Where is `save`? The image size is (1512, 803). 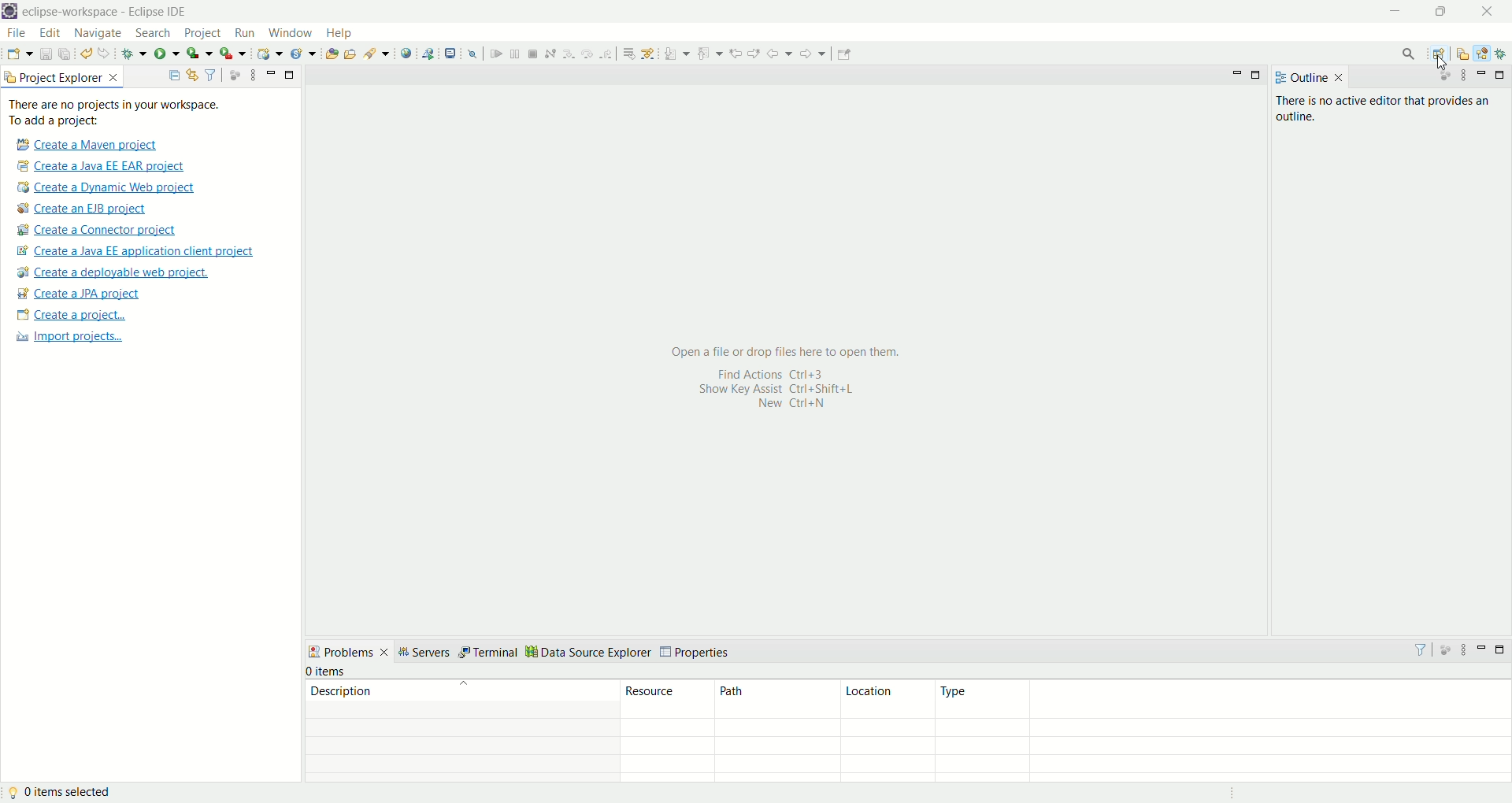
save is located at coordinates (43, 54).